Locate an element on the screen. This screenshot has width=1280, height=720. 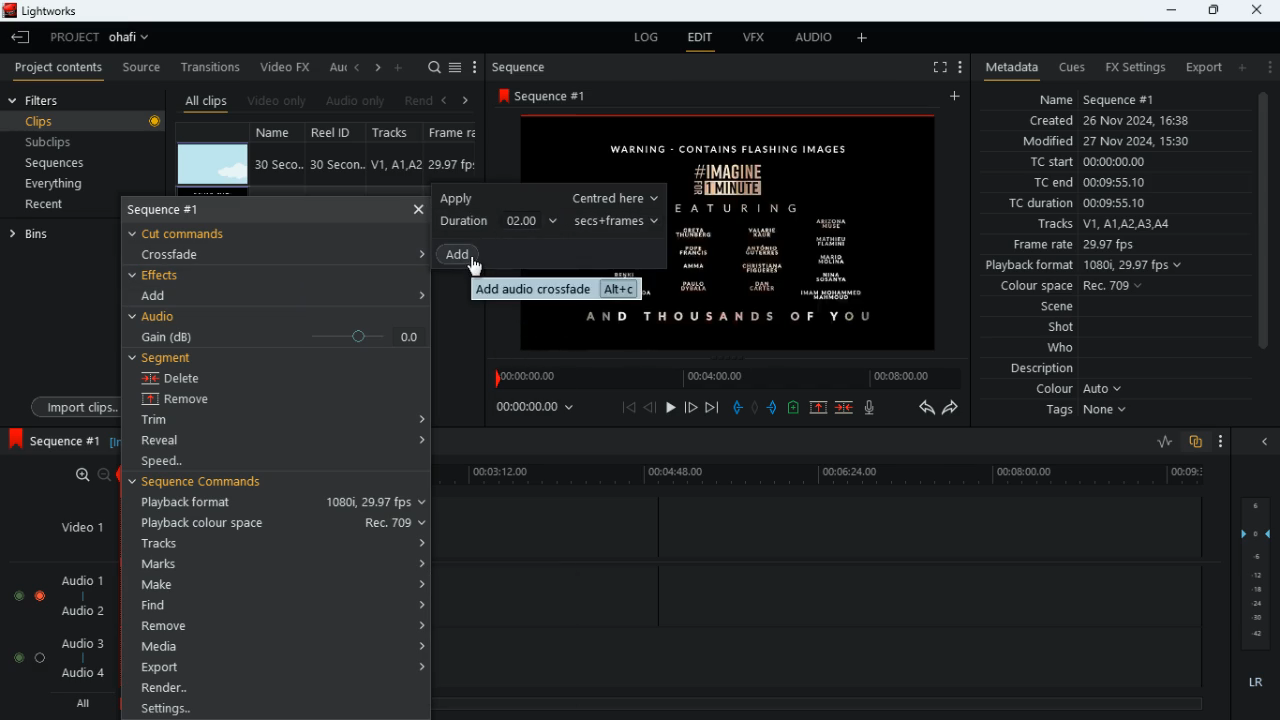
log is located at coordinates (642, 38).